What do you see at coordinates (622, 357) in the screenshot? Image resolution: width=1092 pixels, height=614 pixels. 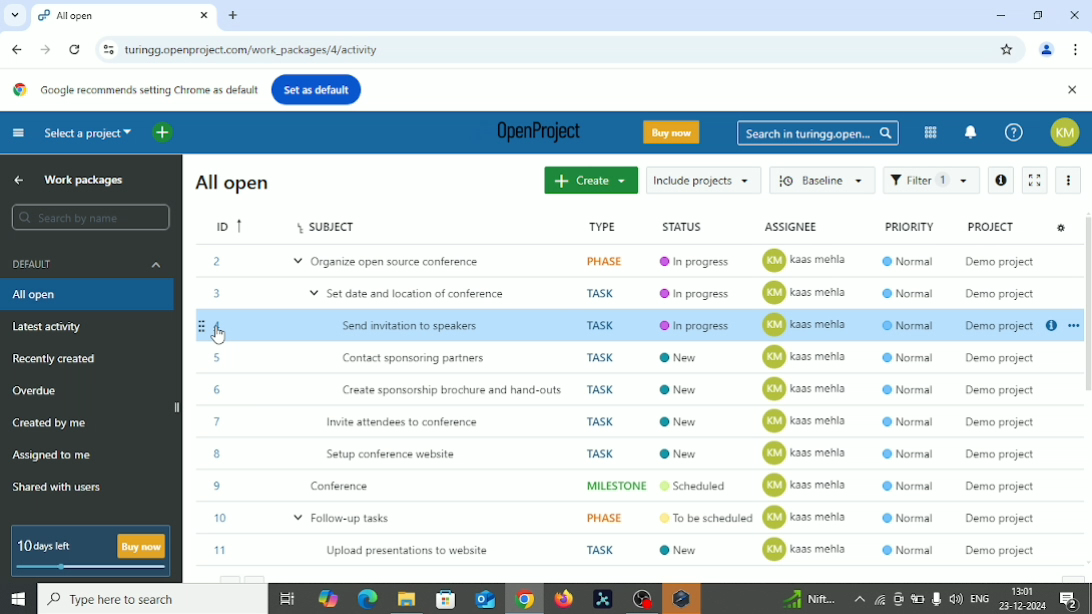 I see `task: Contact sponsoring partners` at bounding box center [622, 357].